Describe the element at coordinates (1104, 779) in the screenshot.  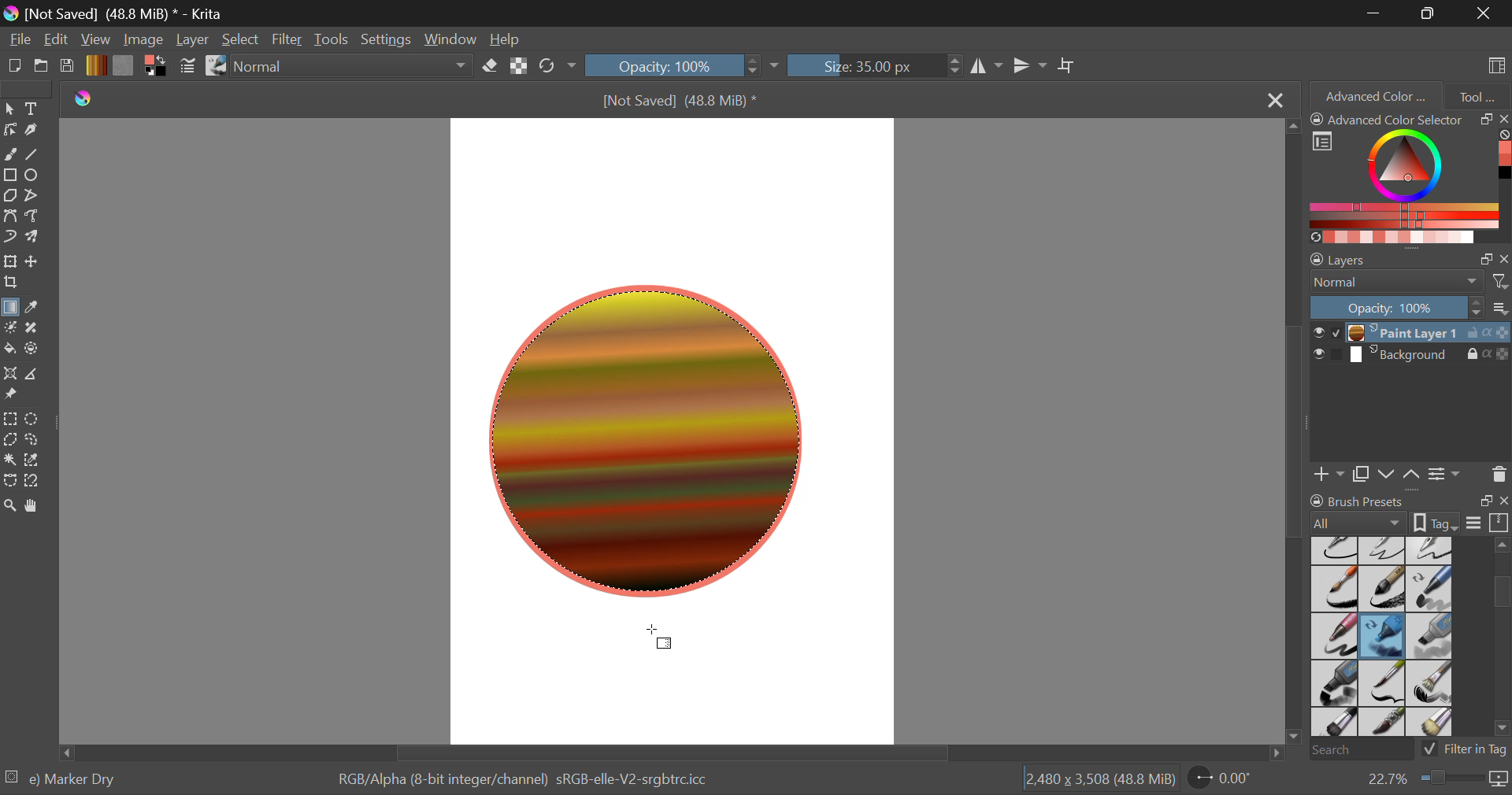
I see `Page Dimensions` at that location.